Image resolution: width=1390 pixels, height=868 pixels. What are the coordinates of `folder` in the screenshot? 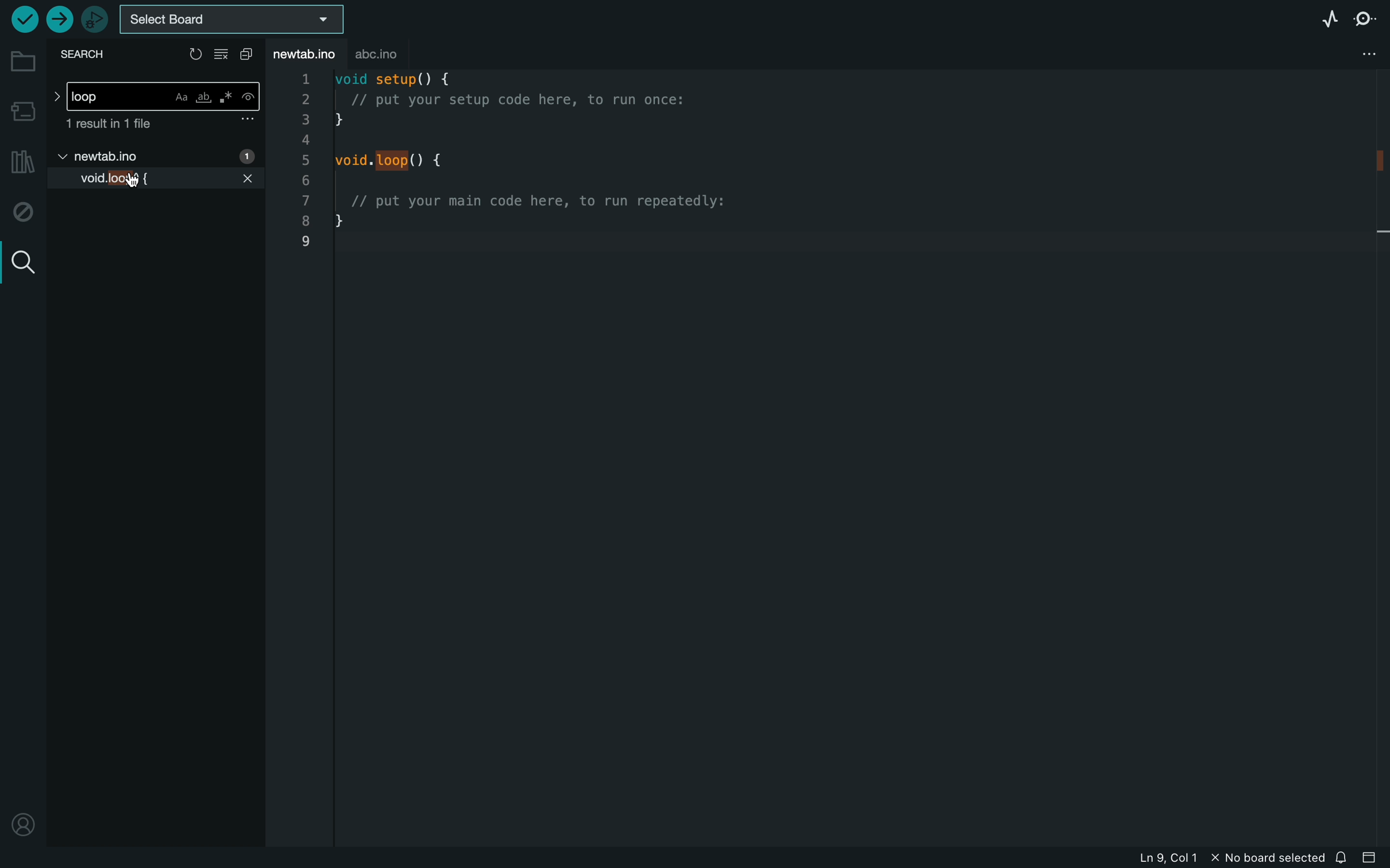 It's located at (21, 62).